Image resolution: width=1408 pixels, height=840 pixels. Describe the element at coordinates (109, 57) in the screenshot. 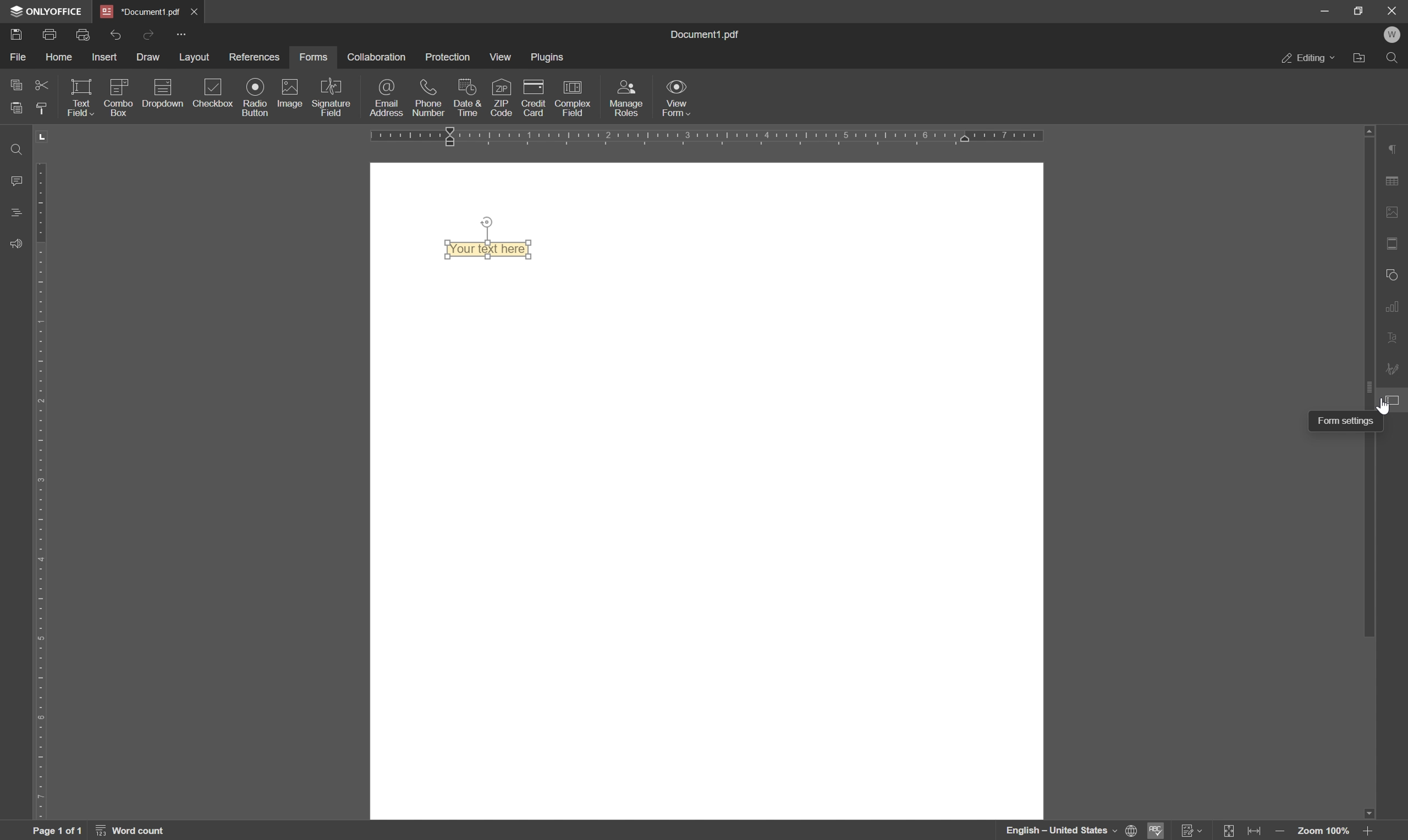

I see `insert` at that location.